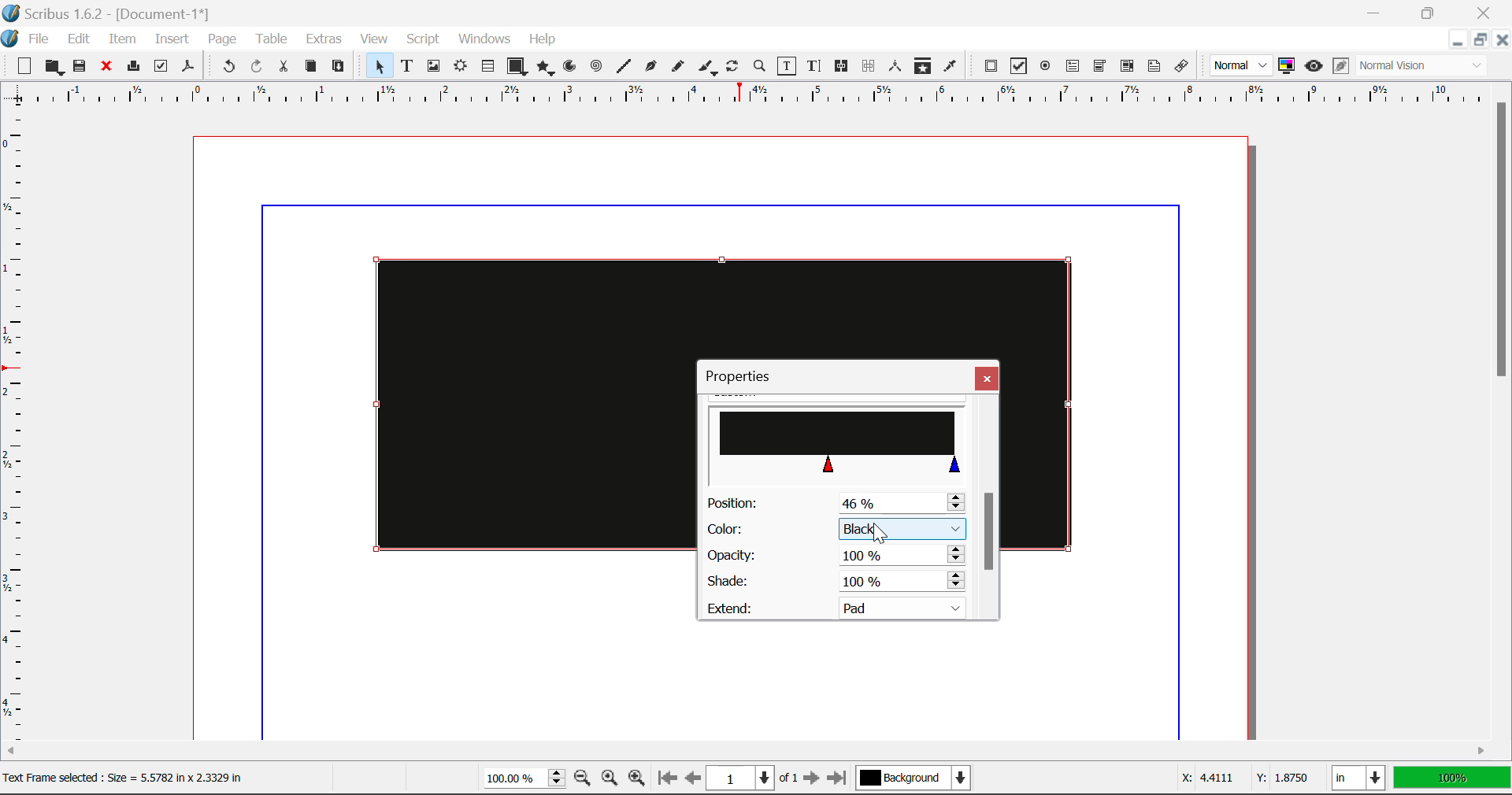  I want to click on Tables, so click(487, 68).